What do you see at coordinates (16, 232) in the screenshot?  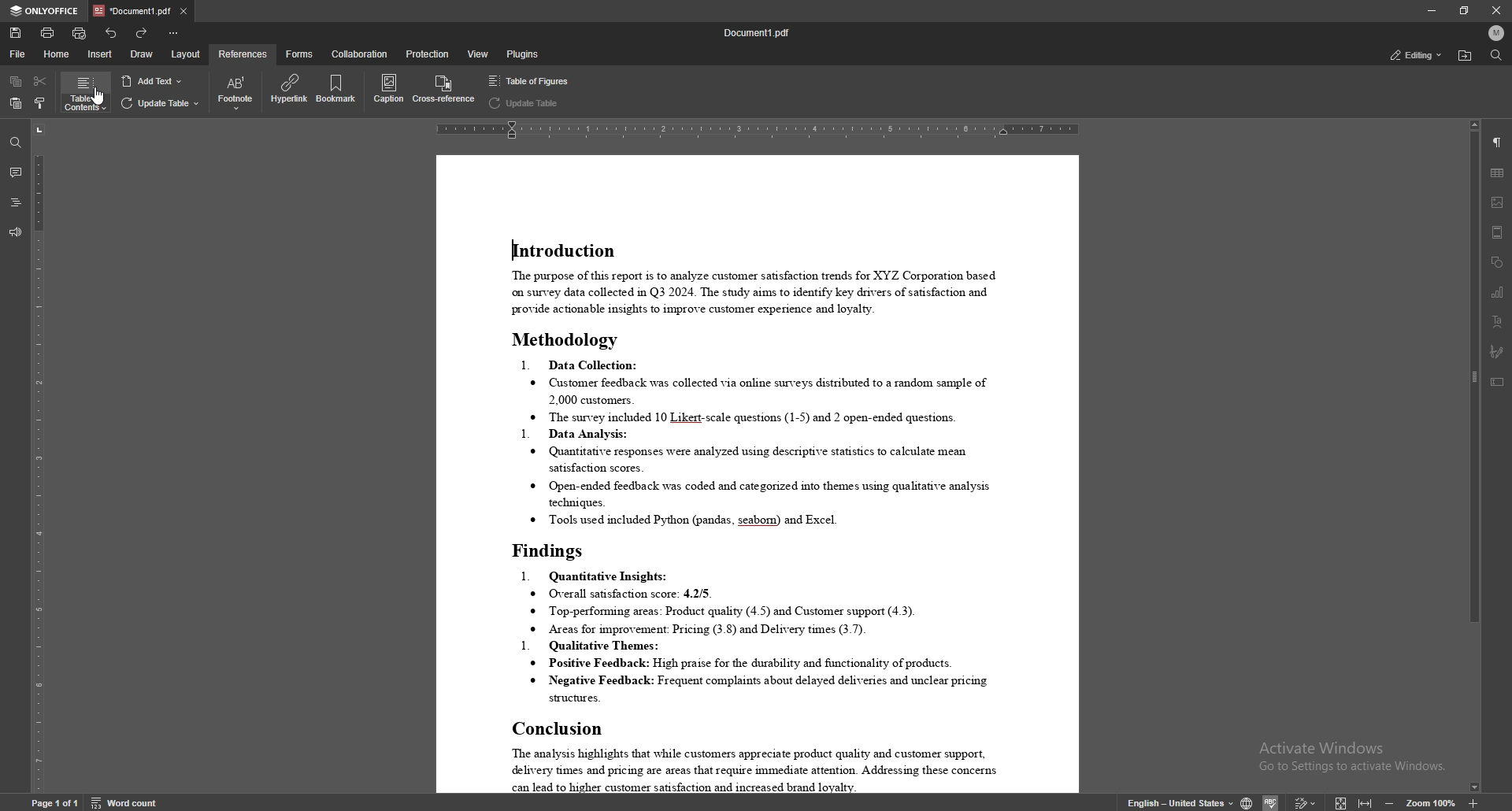 I see `feedback` at bounding box center [16, 232].